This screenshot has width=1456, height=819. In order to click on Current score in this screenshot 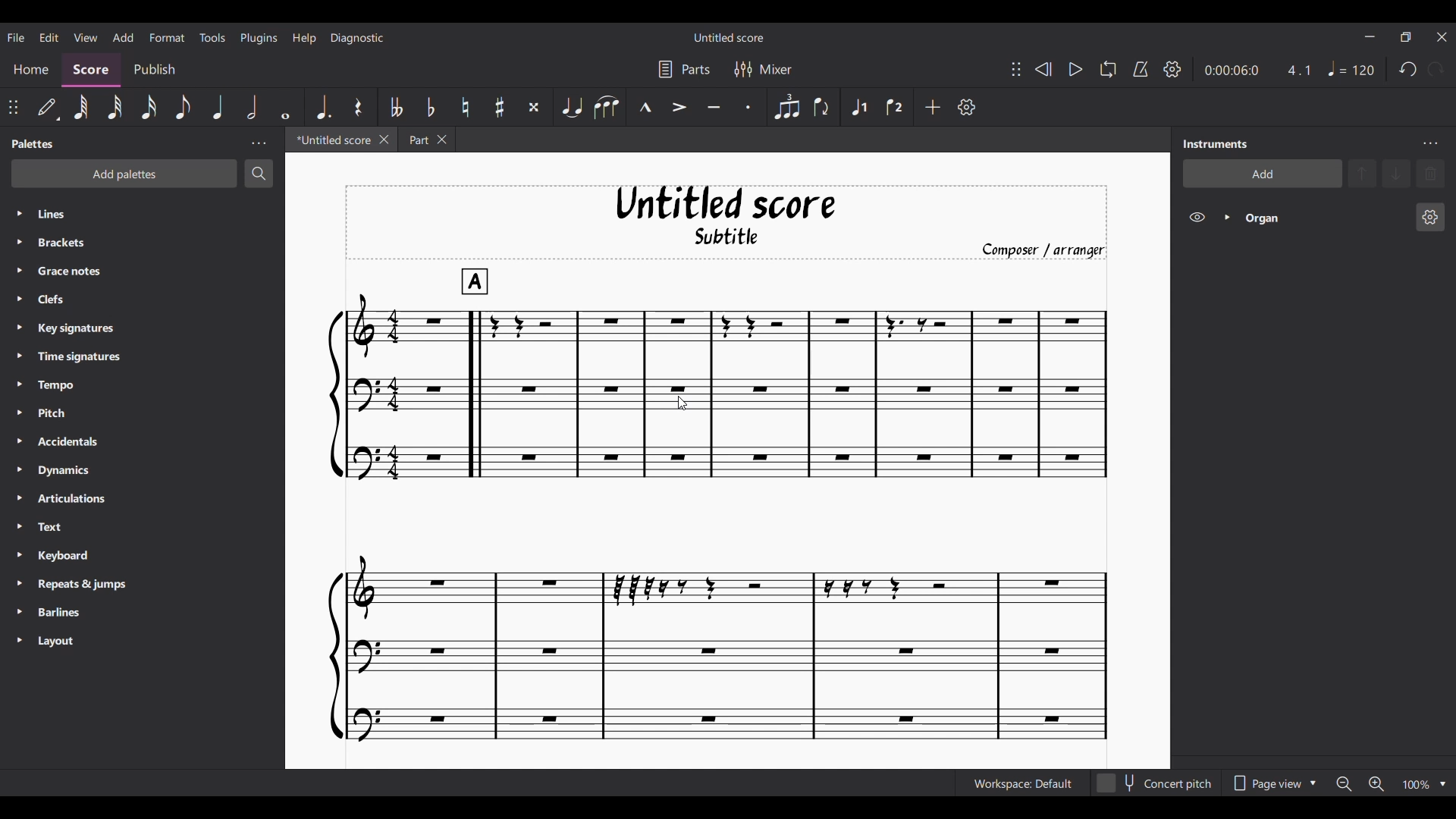, I will do `click(717, 506)`.